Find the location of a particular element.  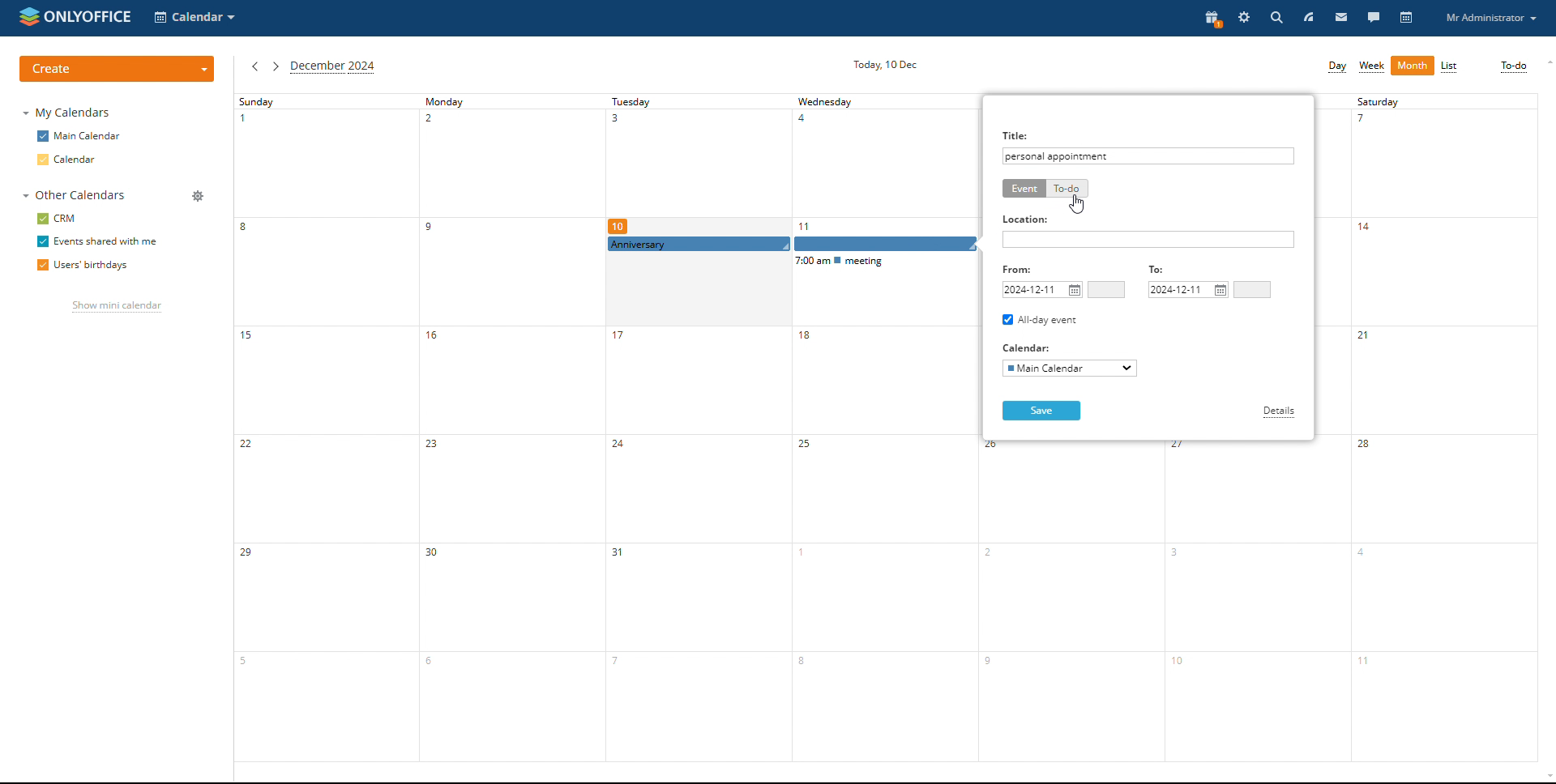

profile is located at coordinates (1493, 18).